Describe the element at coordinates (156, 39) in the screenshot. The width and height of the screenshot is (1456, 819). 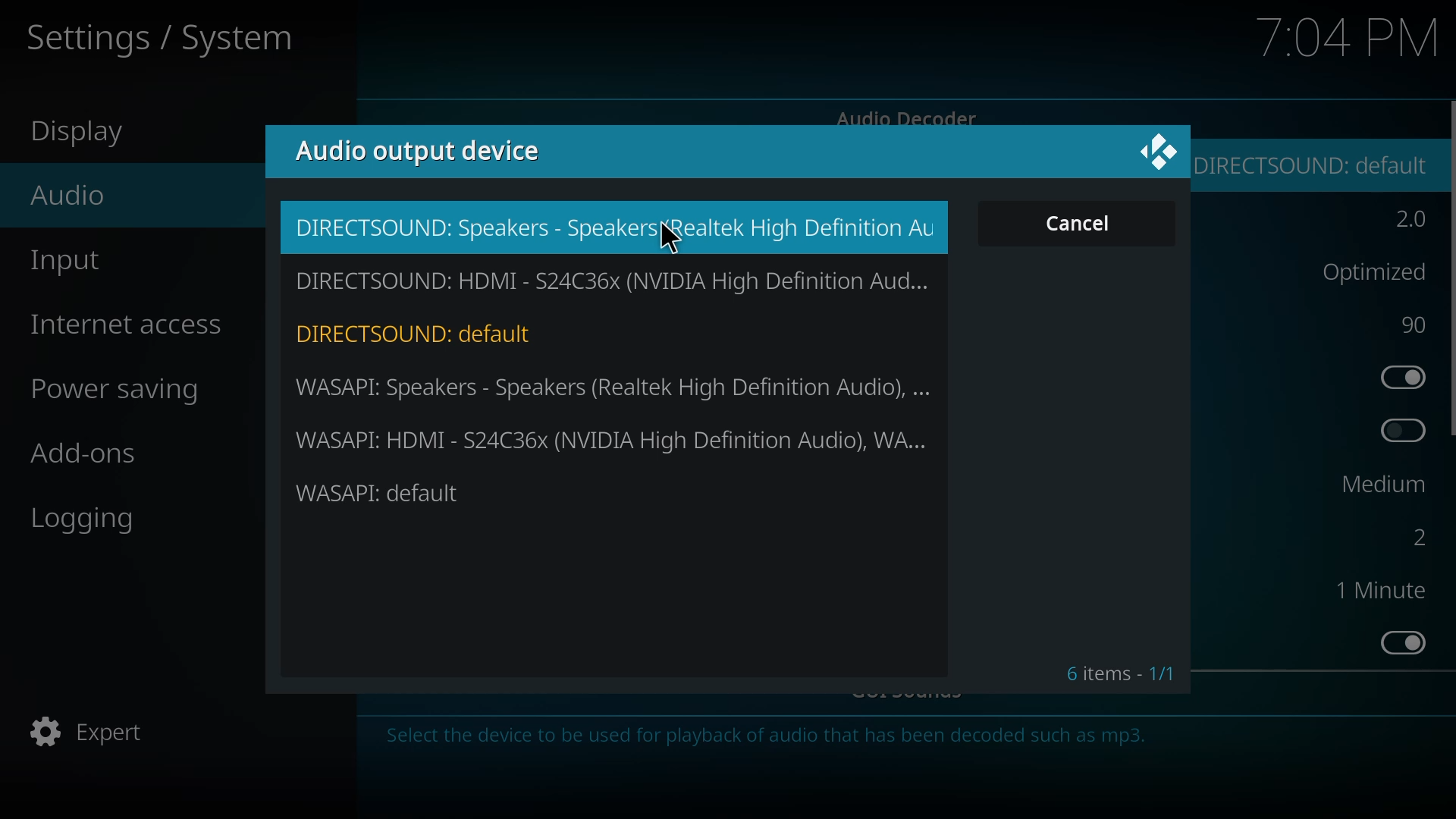
I see `settings/system` at that location.